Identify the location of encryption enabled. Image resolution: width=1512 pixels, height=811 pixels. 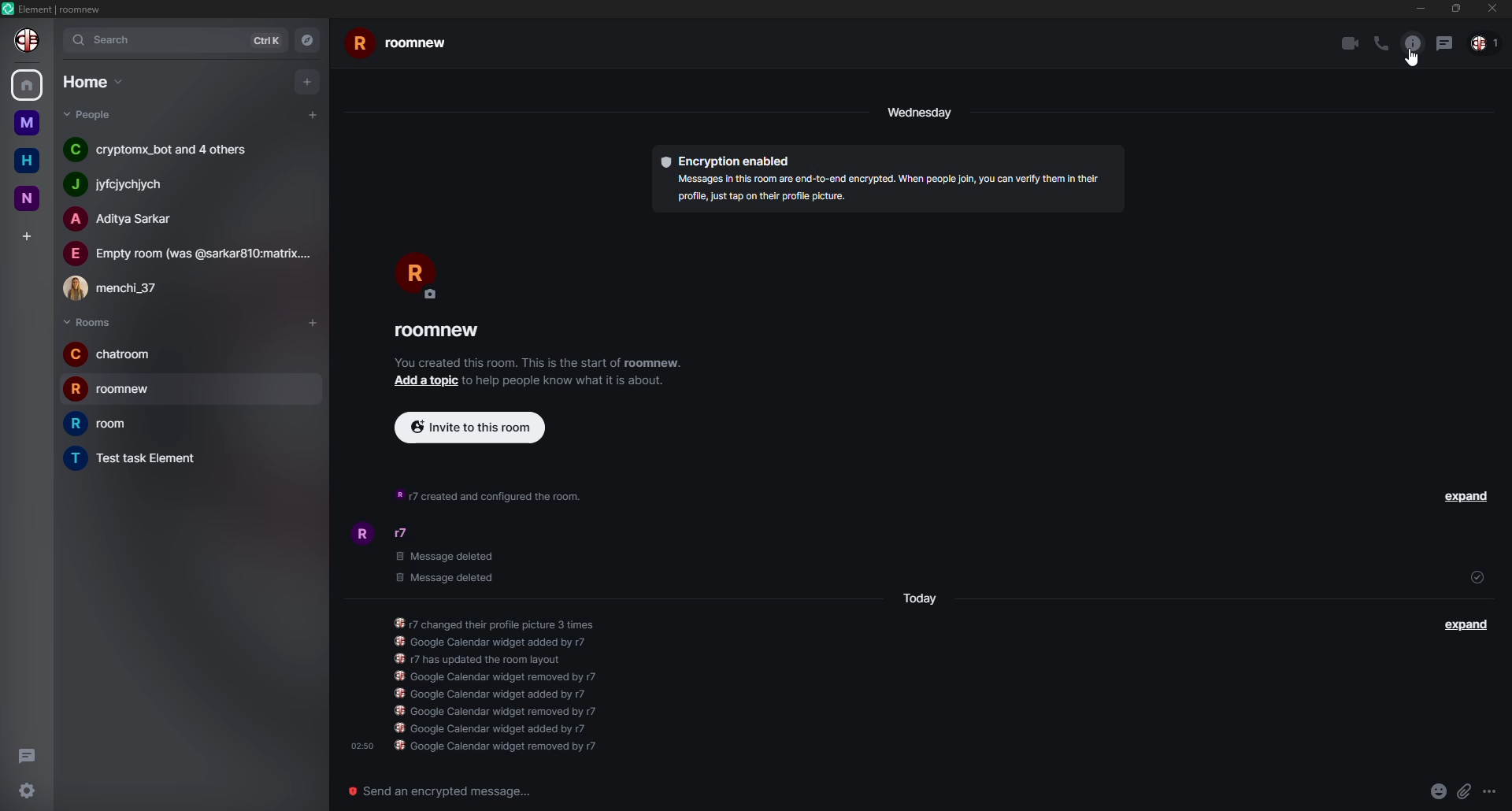
(728, 161).